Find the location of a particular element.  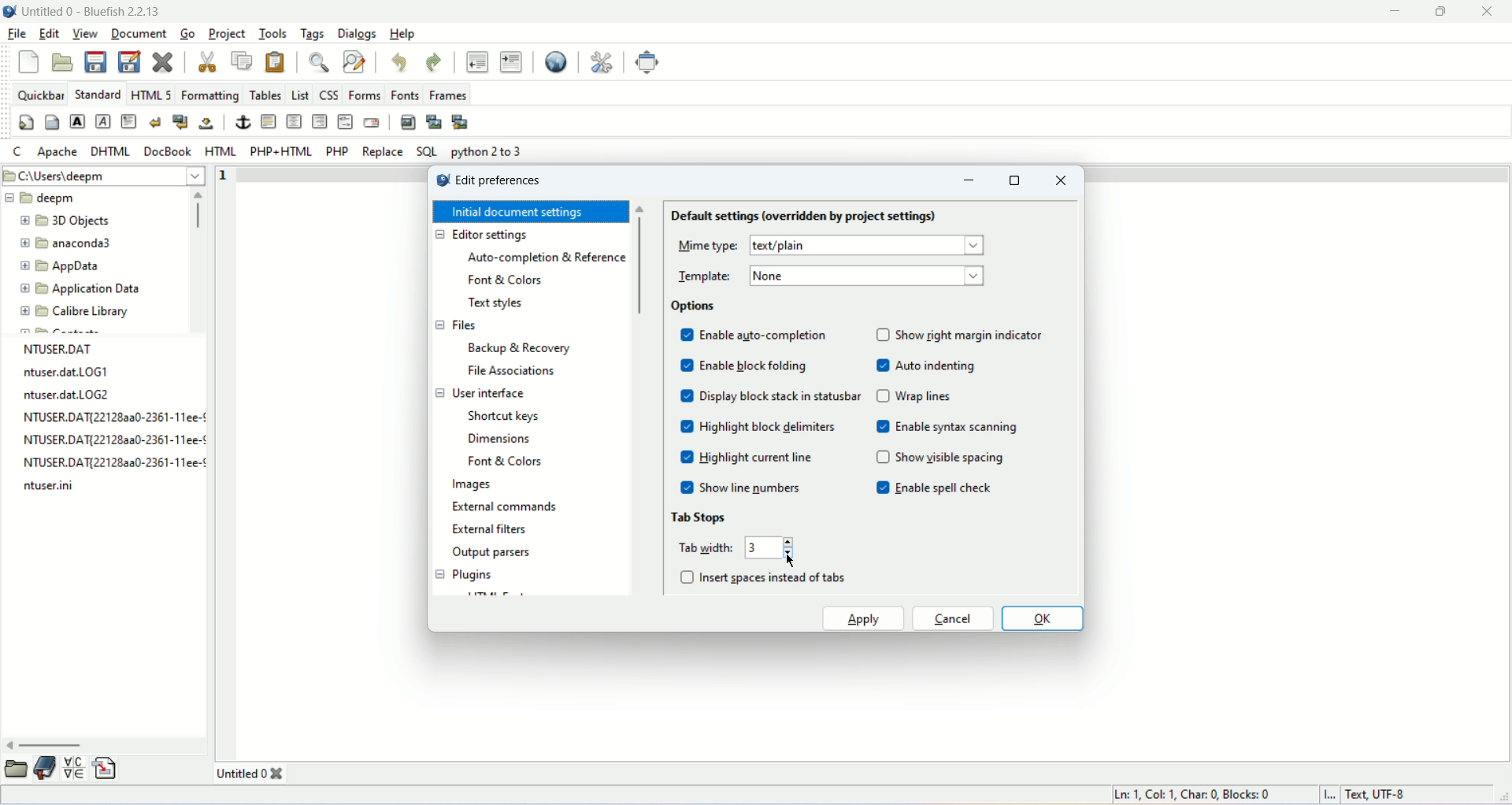

apply is located at coordinates (863, 620).